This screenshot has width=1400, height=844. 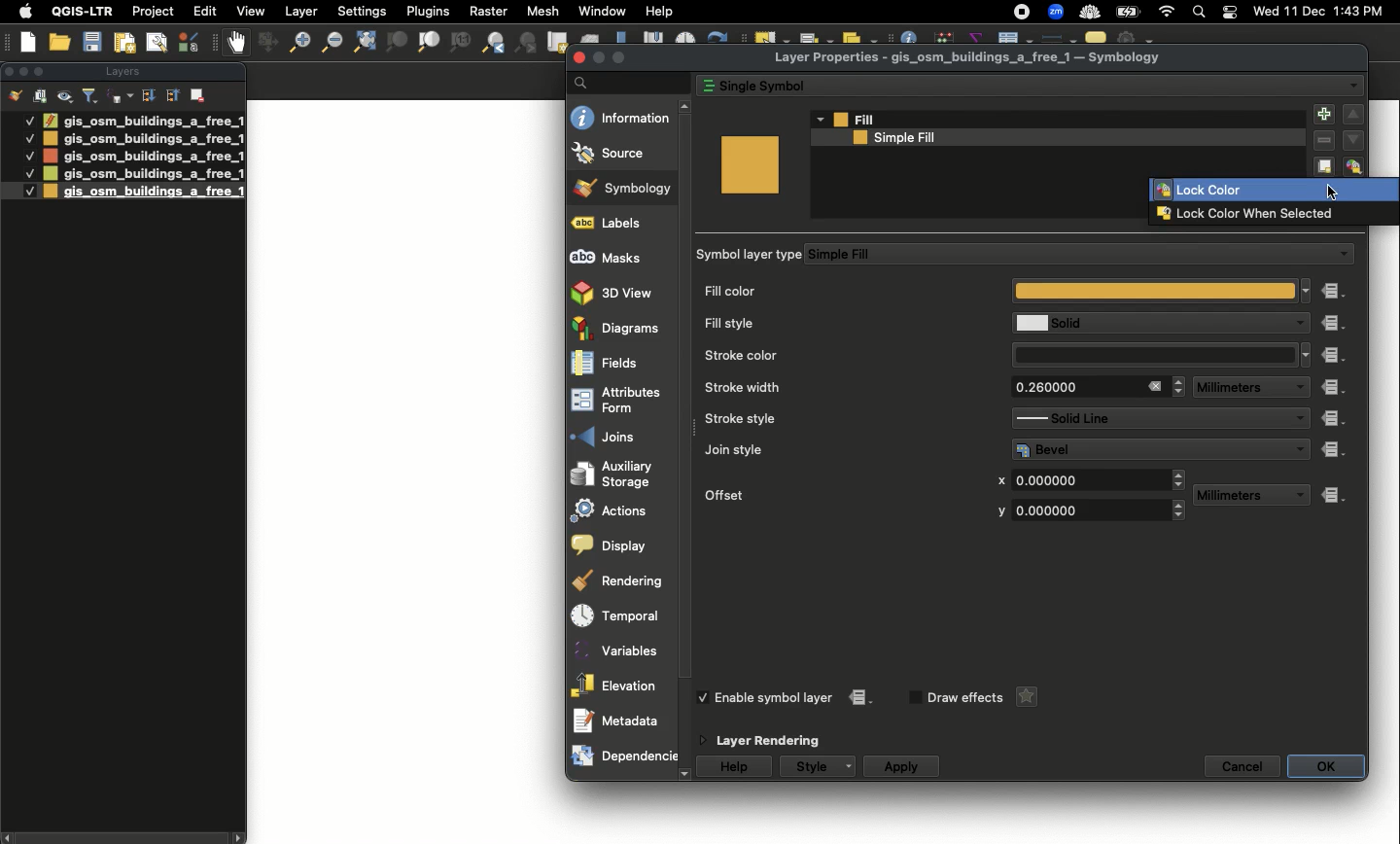 I want to click on Wif, so click(x=1167, y=13).